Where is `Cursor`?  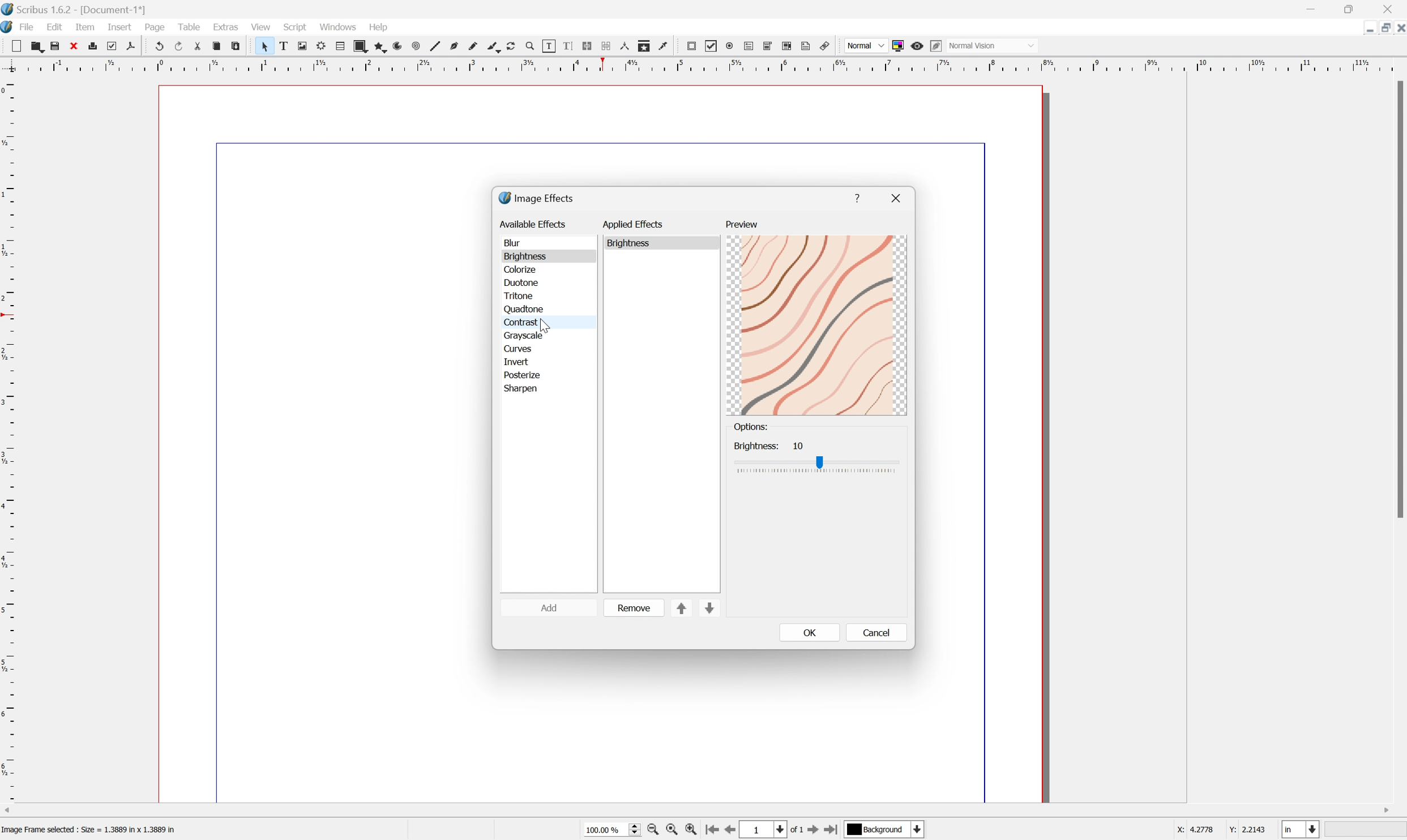 Cursor is located at coordinates (545, 324).